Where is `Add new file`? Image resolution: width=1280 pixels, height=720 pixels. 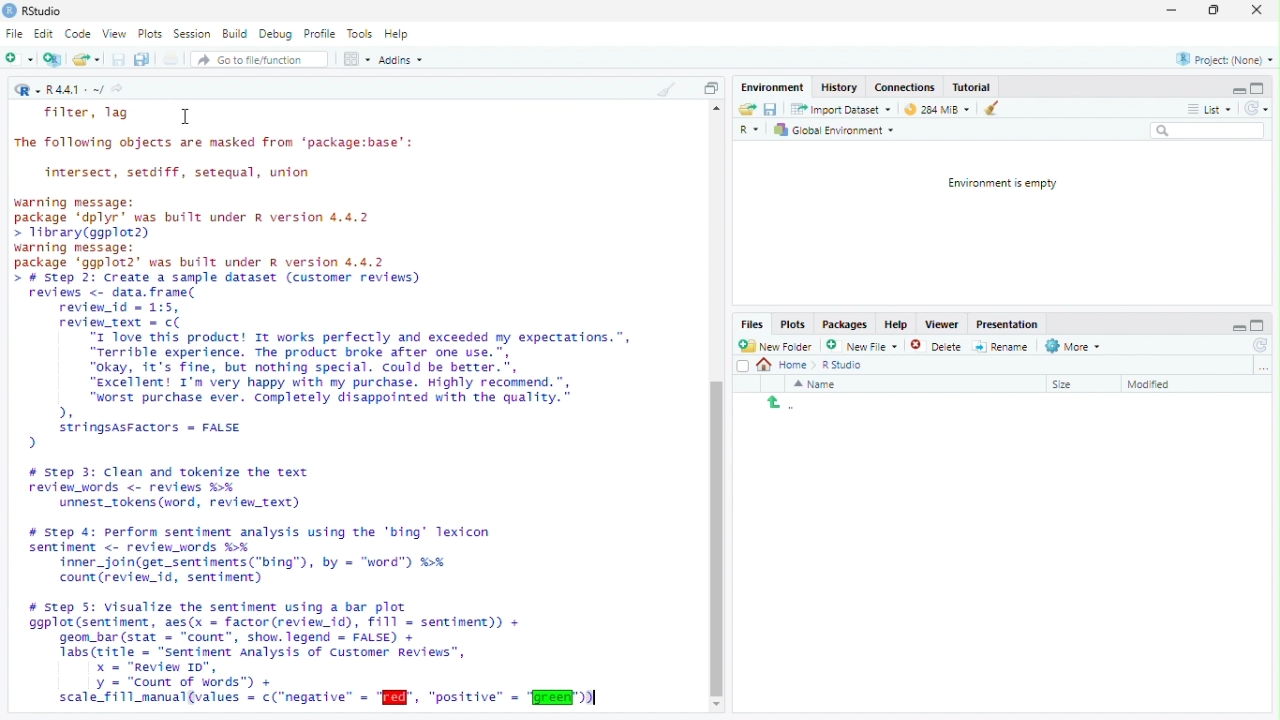 Add new file is located at coordinates (18, 57).